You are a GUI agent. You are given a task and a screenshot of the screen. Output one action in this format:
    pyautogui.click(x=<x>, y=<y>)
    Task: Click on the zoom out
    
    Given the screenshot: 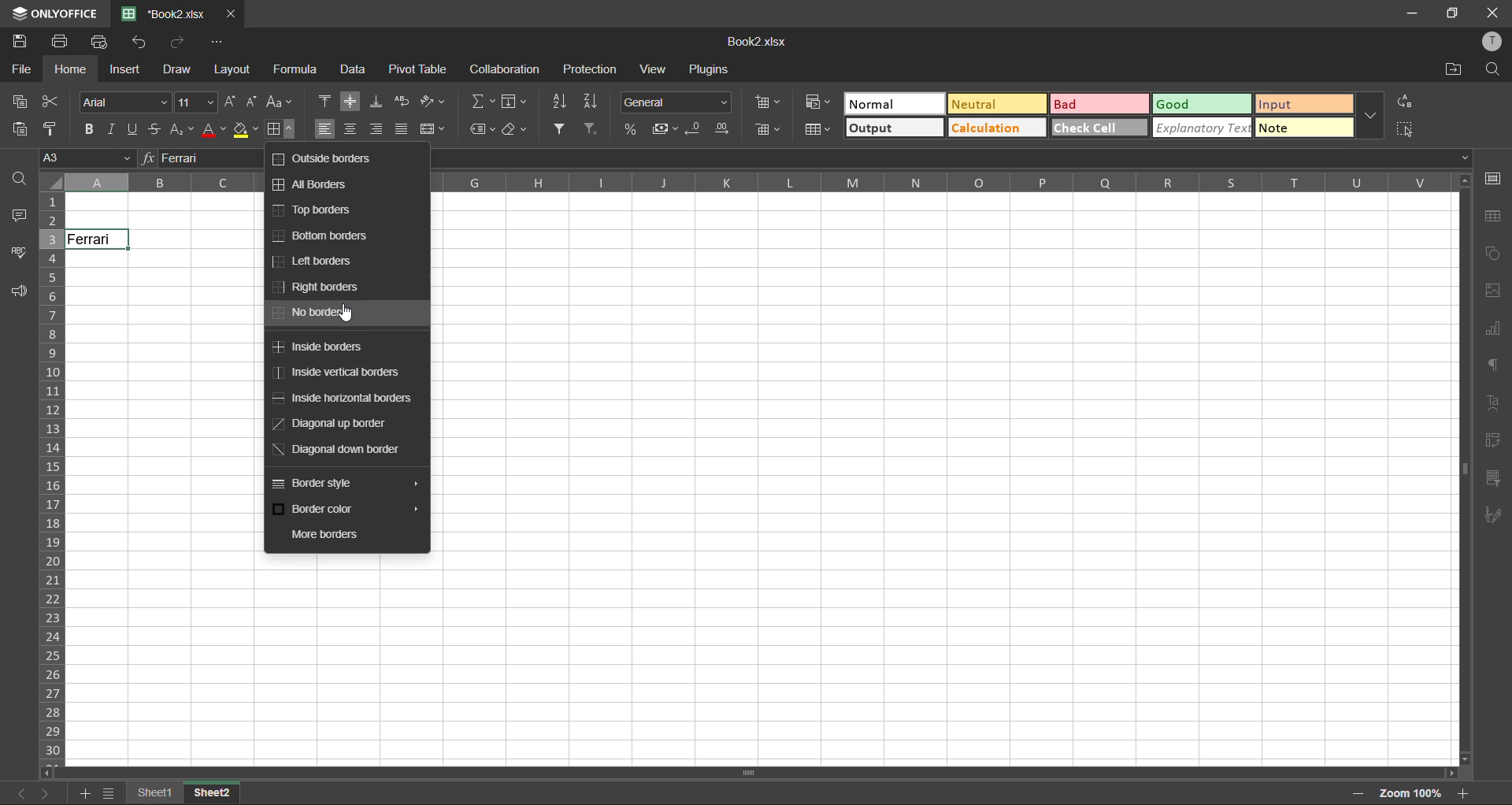 What is the action you would take?
    pyautogui.click(x=1358, y=794)
    